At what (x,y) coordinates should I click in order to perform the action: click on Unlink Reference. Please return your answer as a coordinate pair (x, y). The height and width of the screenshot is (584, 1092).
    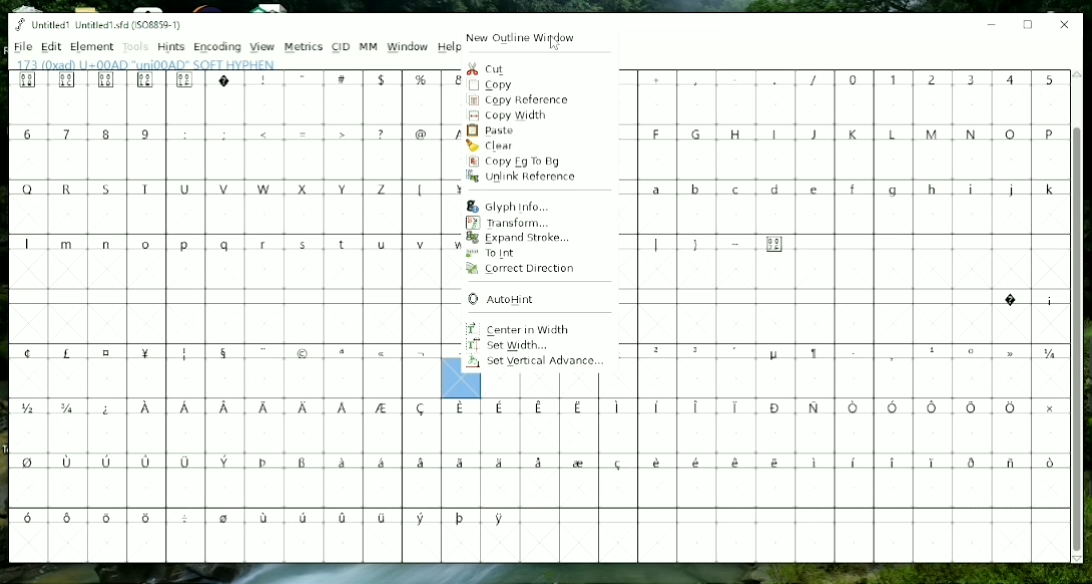
    Looking at the image, I should click on (520, 177).